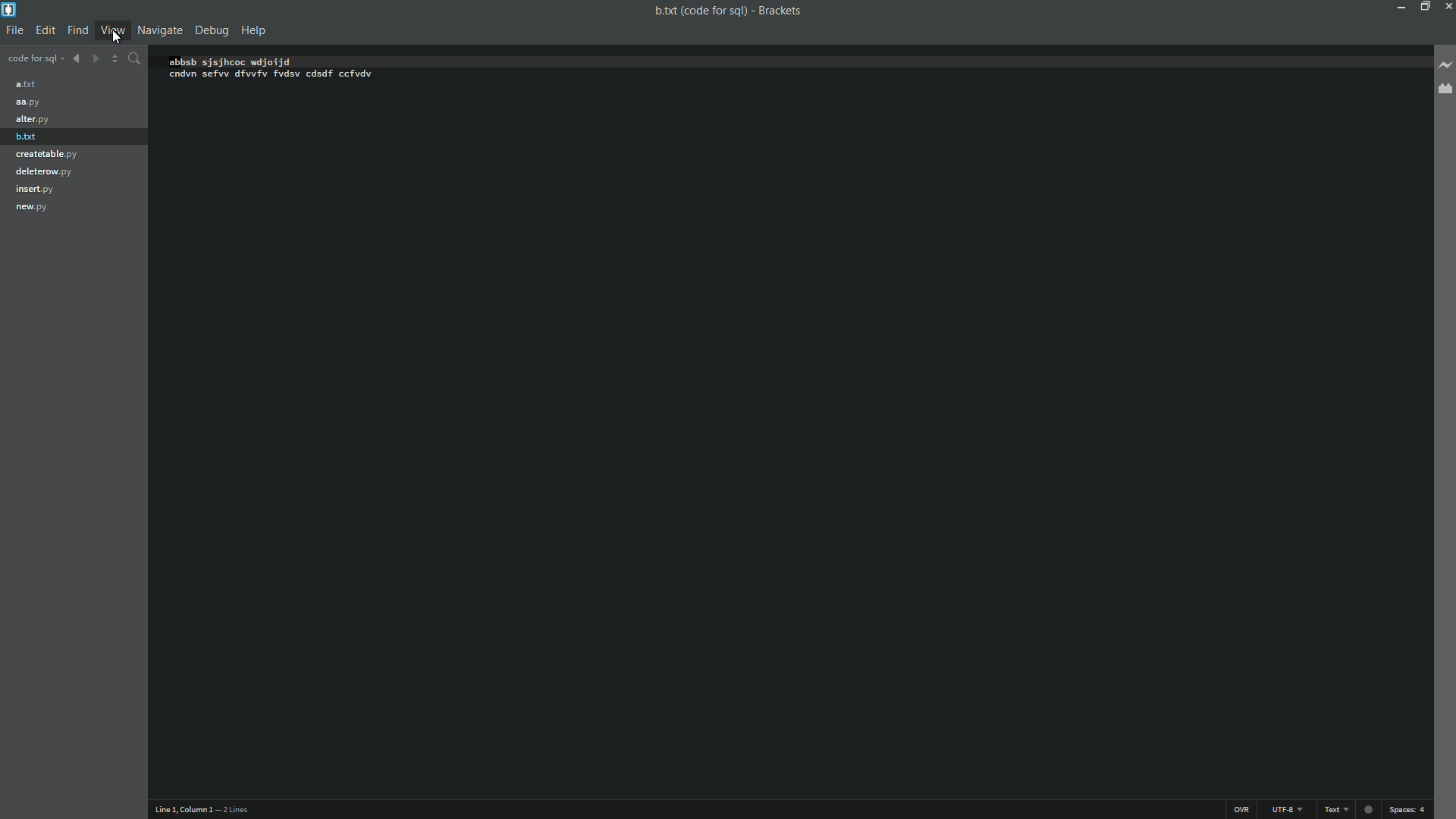 This screenshot has width=1456, height=819. What do you see at coordinates (44, 152) in the screenshot?
I see `creatable.py` at bounding box center [44, 152].